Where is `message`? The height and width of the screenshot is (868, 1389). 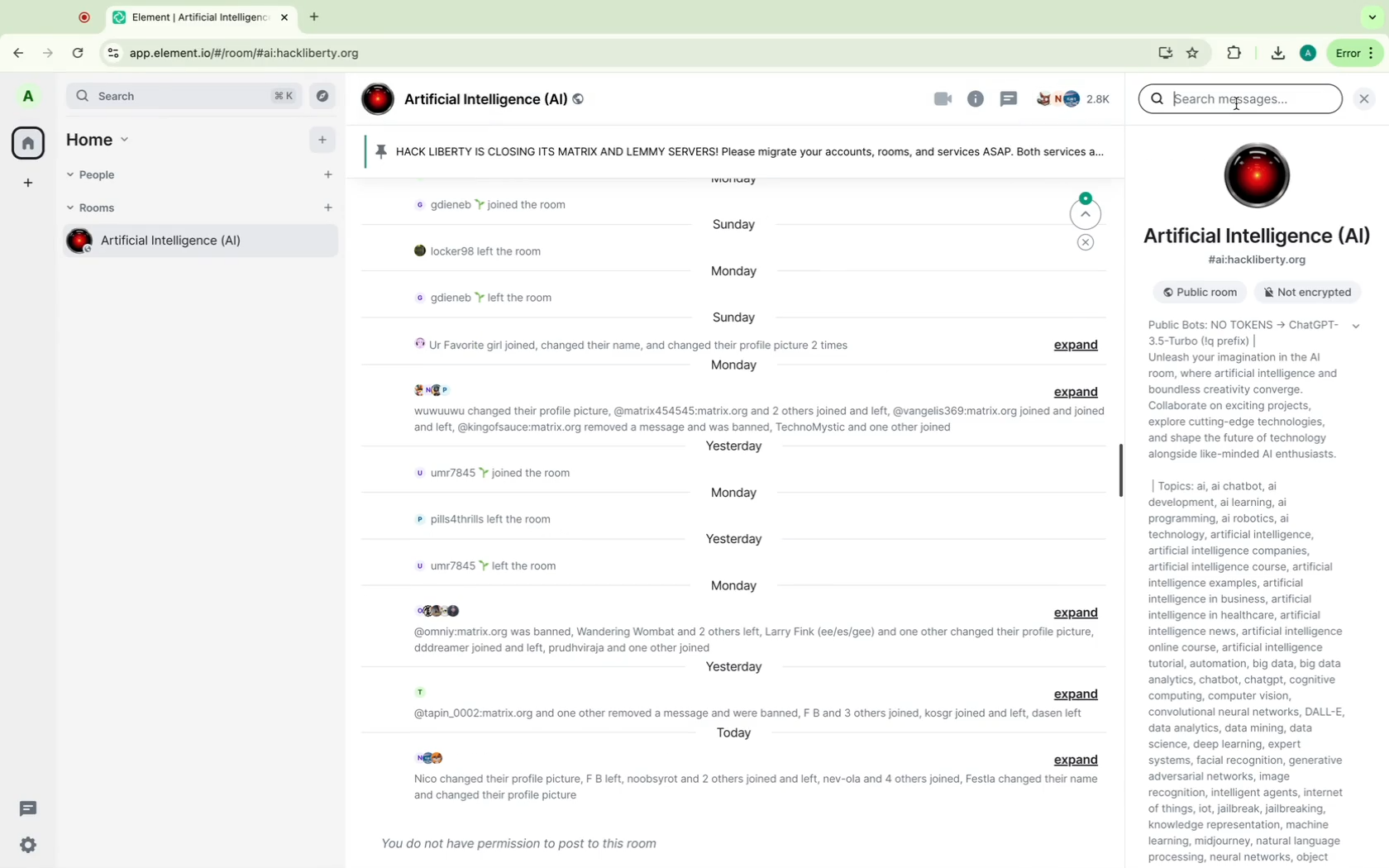
message is located at coordinates (499, 567).